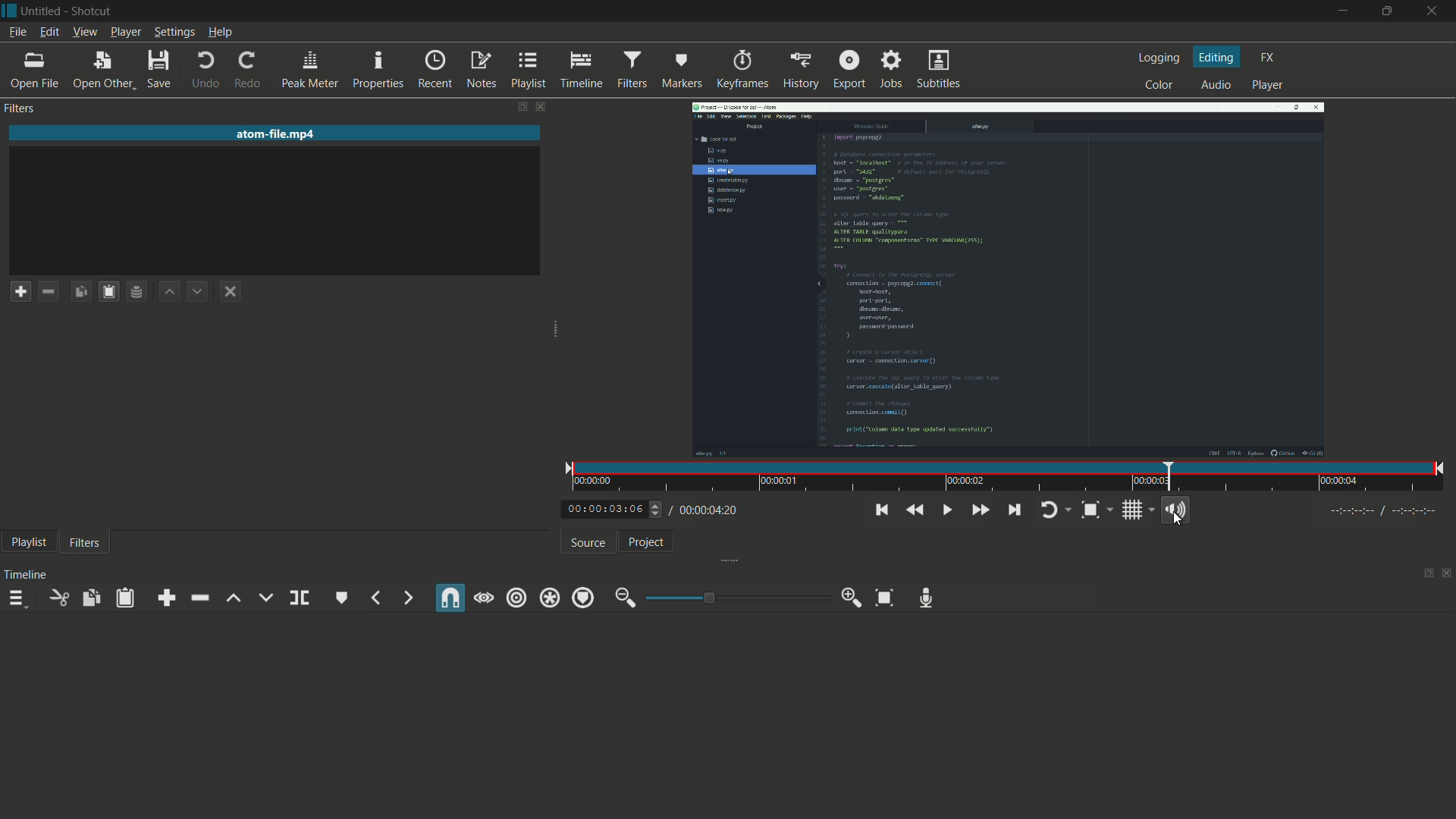  I want to click on playlist, so click(529, 71).